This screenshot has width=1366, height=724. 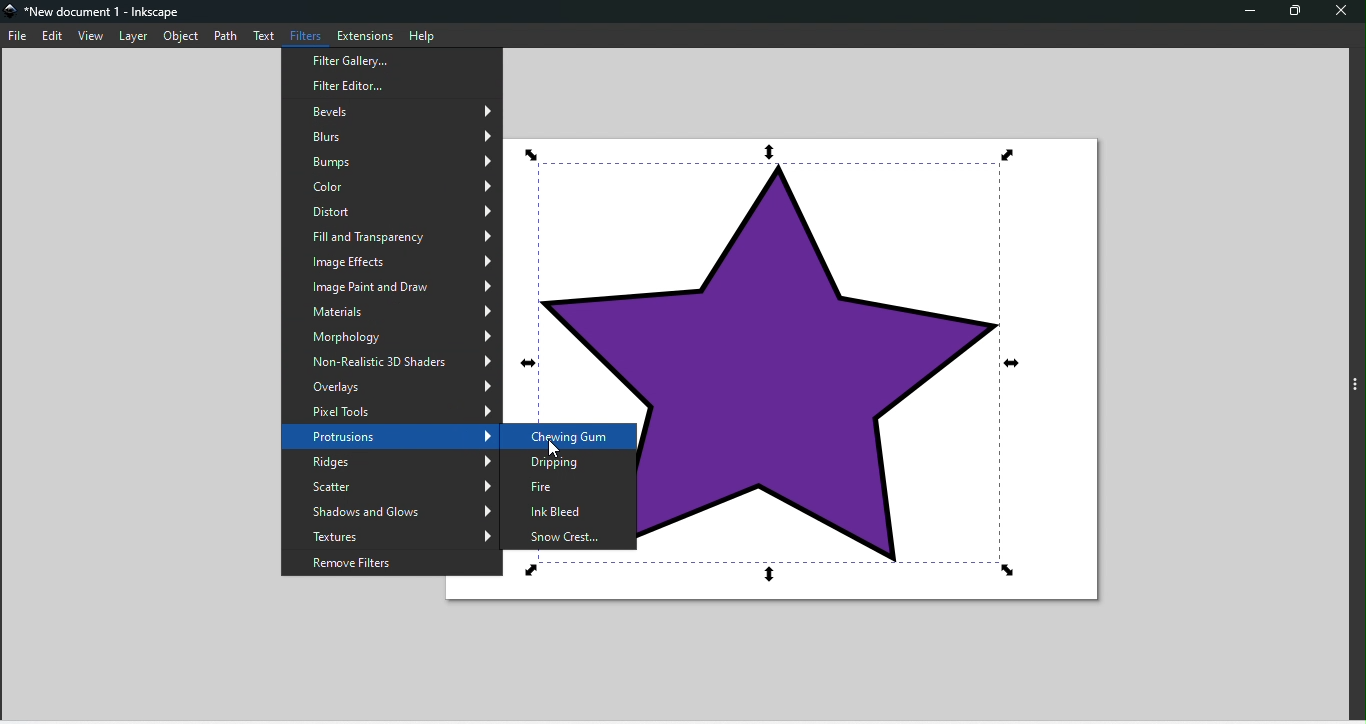 I want to click on Object, so click(x=183, y=36).